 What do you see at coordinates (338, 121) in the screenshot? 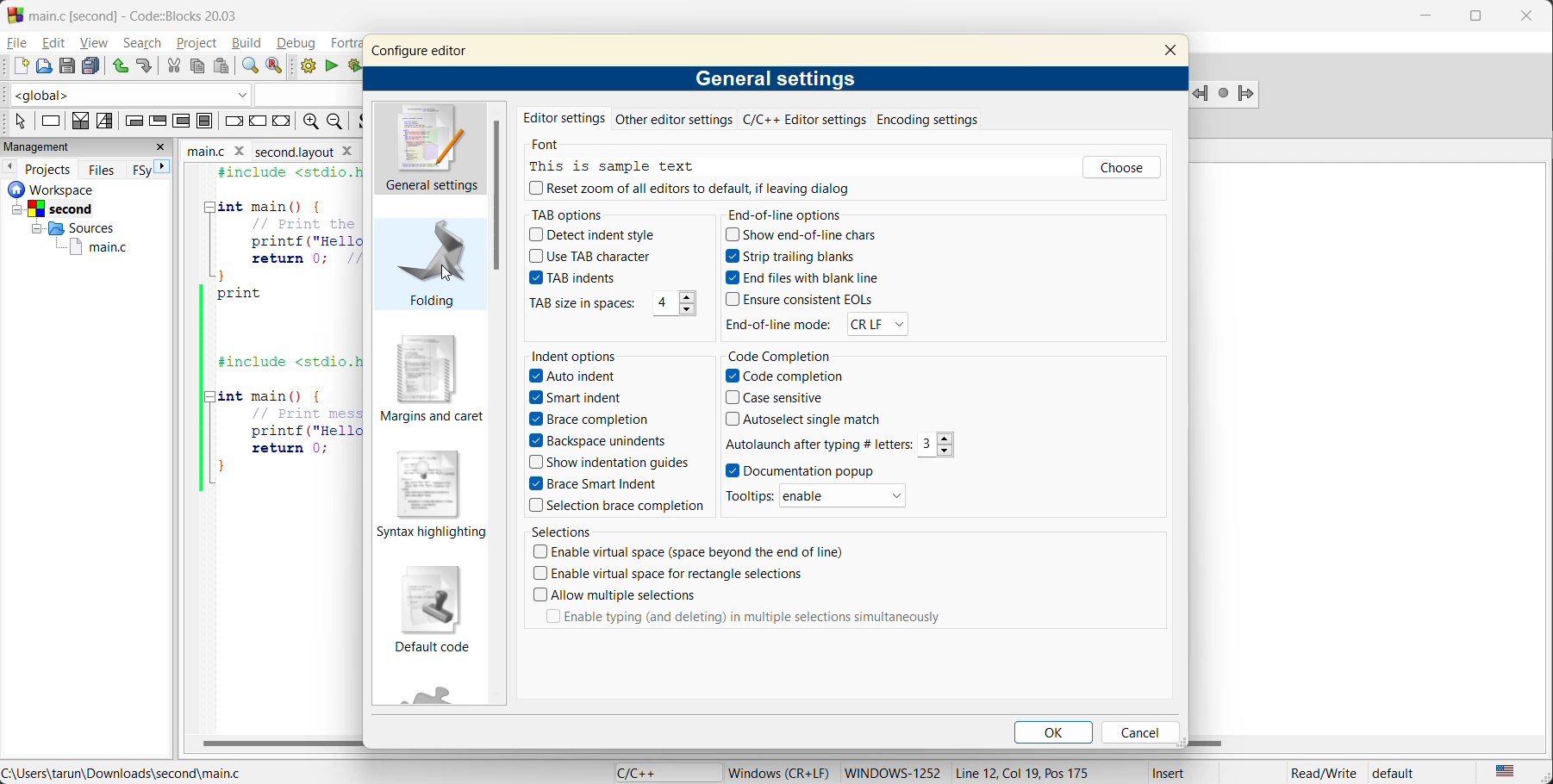
I see `zoom out` at bounding box center [338, 121].